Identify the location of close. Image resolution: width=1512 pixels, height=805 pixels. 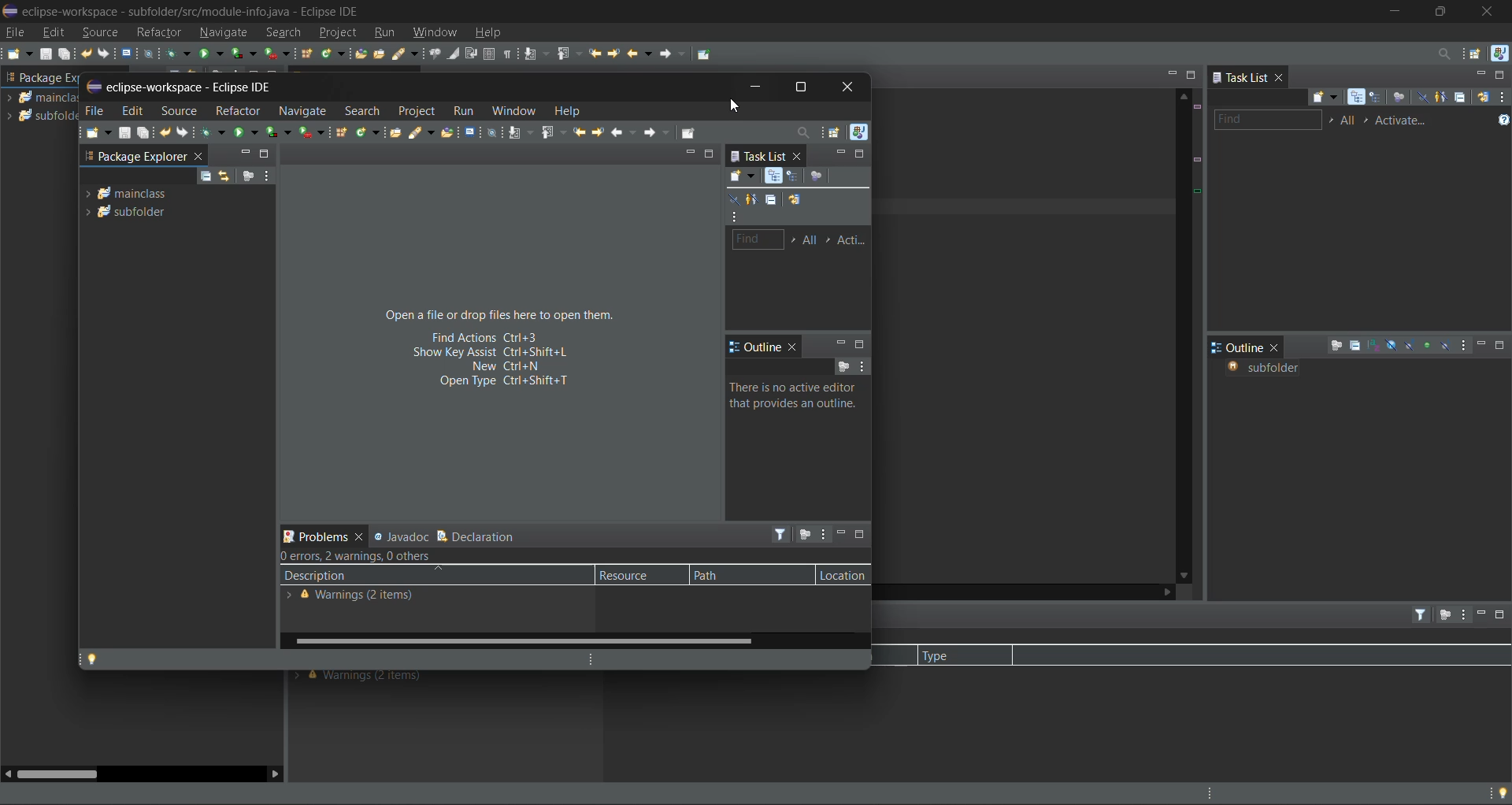
(1283, 78).